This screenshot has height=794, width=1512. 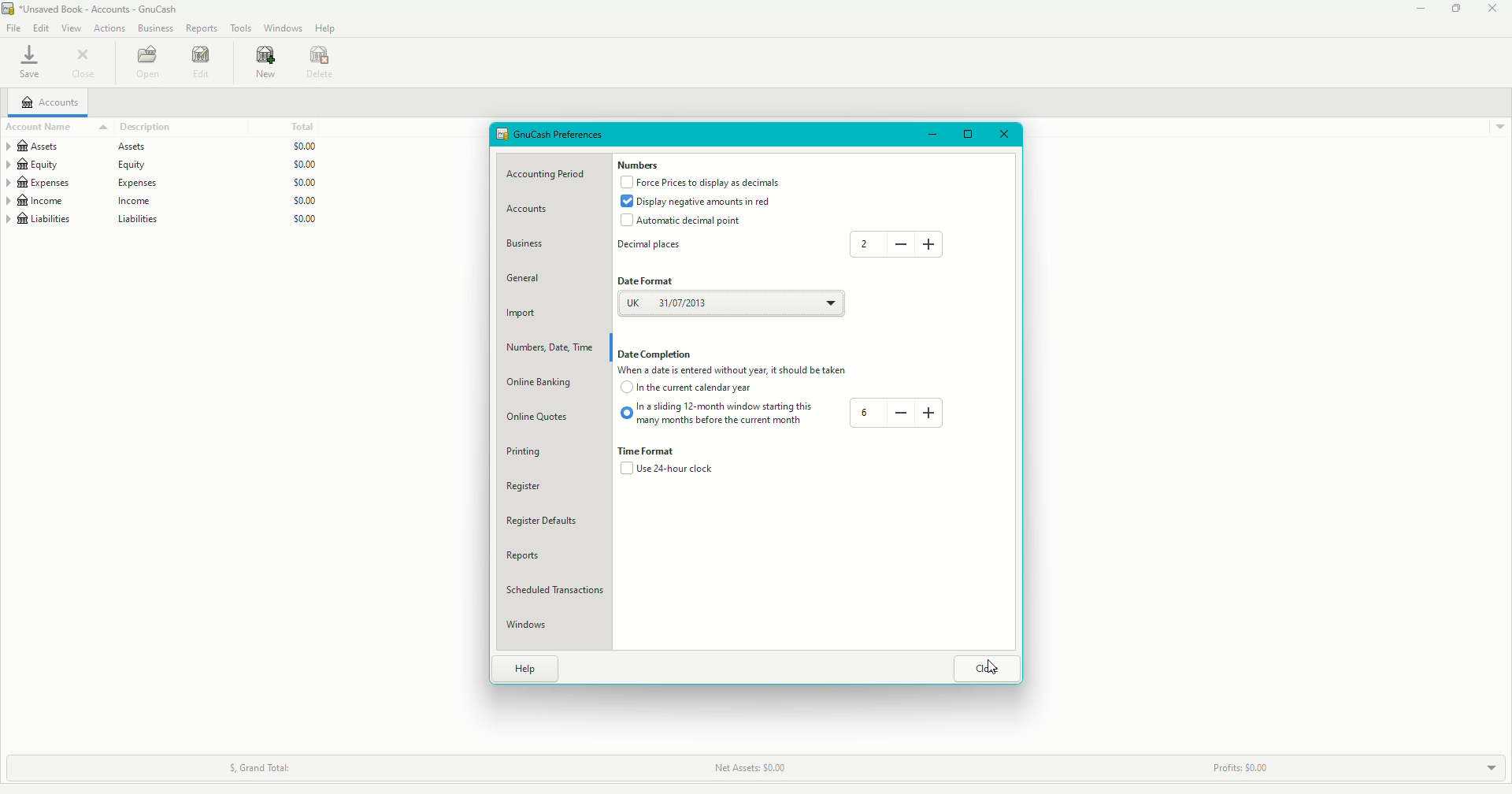 What do you see at coordinates (901, 244) in the screenshot?
I see `Minus` at bounding box center [901, 244].